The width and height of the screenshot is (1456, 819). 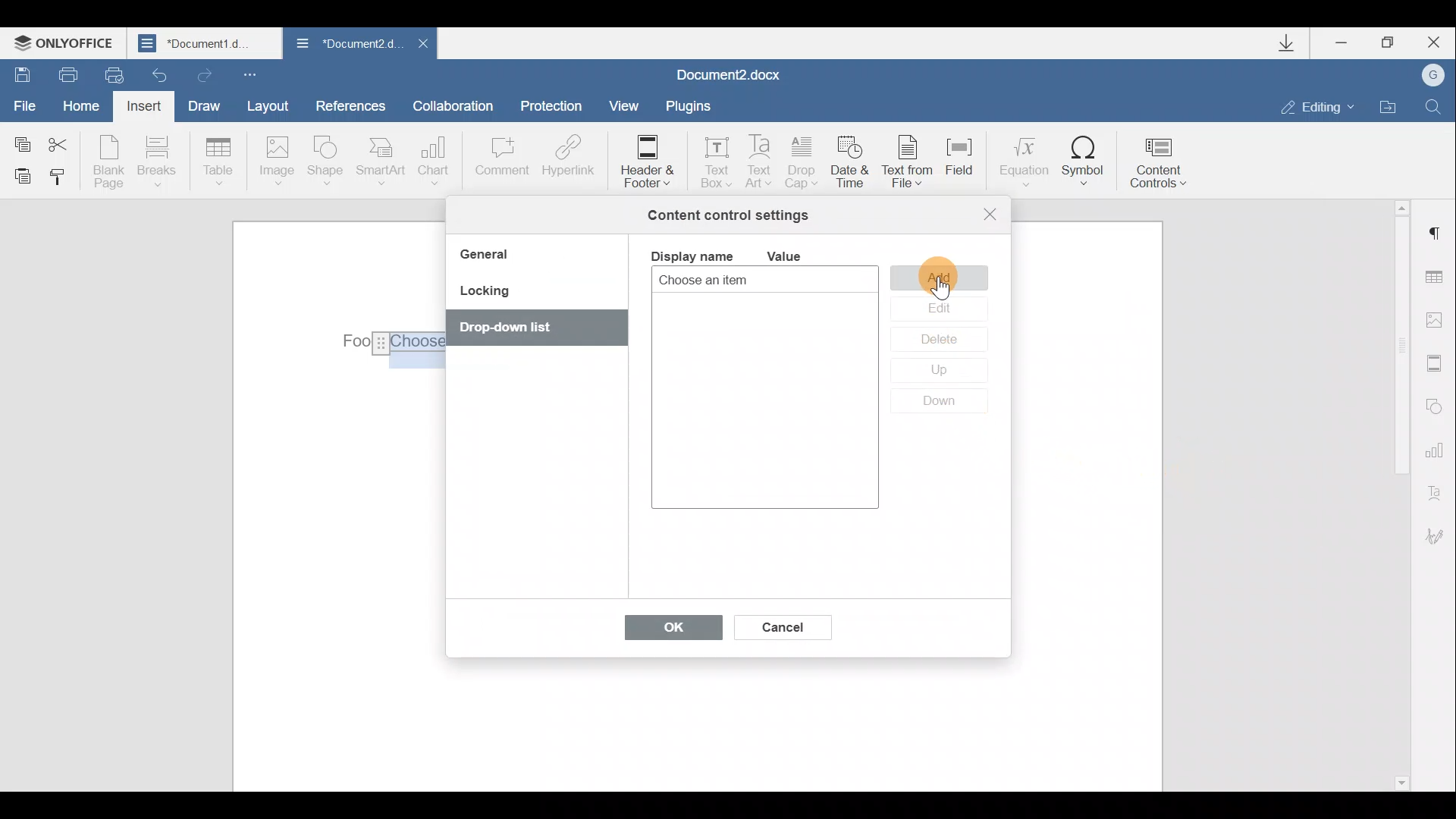 What do you see at coordinates (161, 71) in the screenshot?
I see `Undo` at bounding box center [161, 71].